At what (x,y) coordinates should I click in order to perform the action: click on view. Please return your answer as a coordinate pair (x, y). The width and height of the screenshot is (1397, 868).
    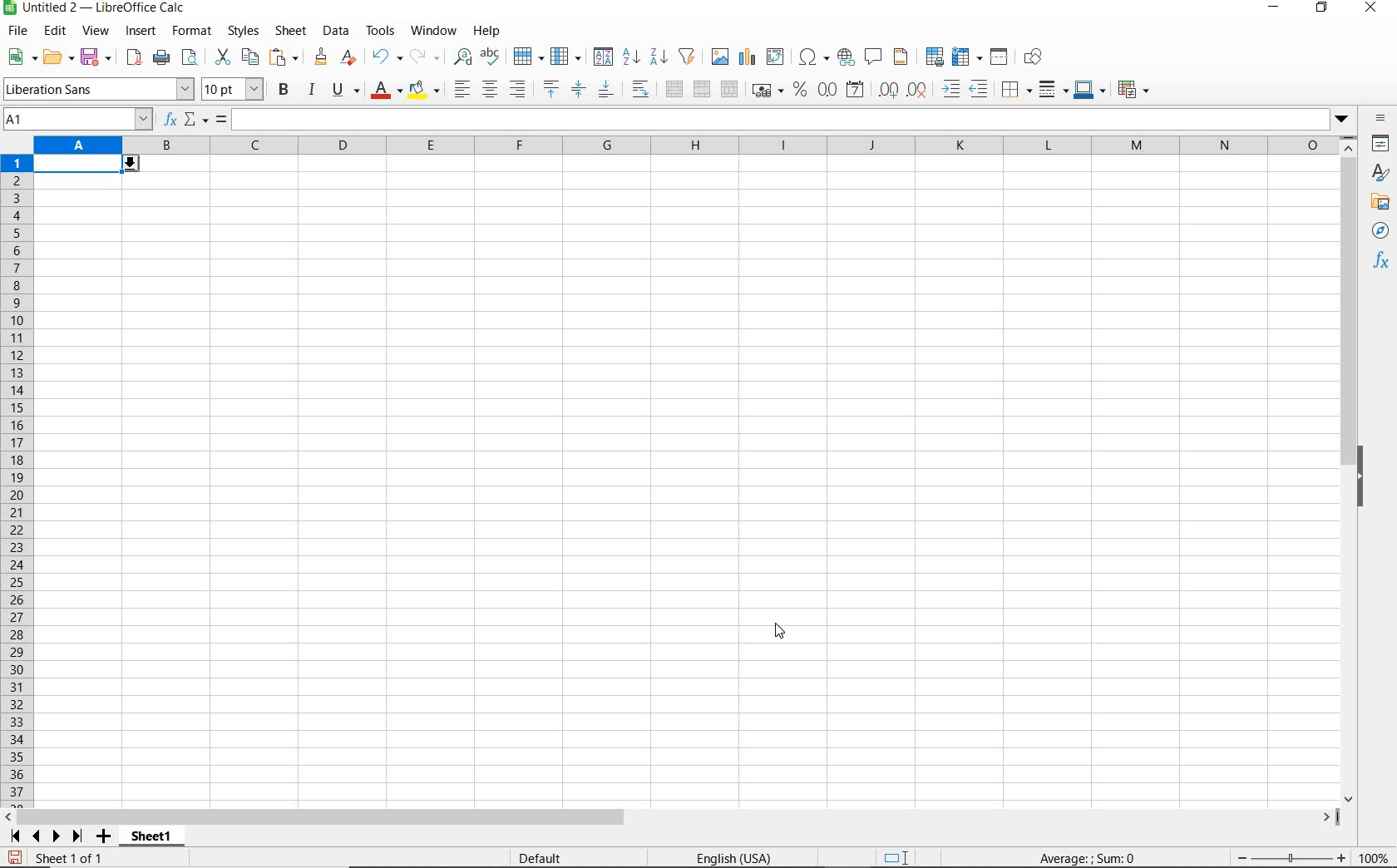
    Looking at the image, I should click on (96, 32).